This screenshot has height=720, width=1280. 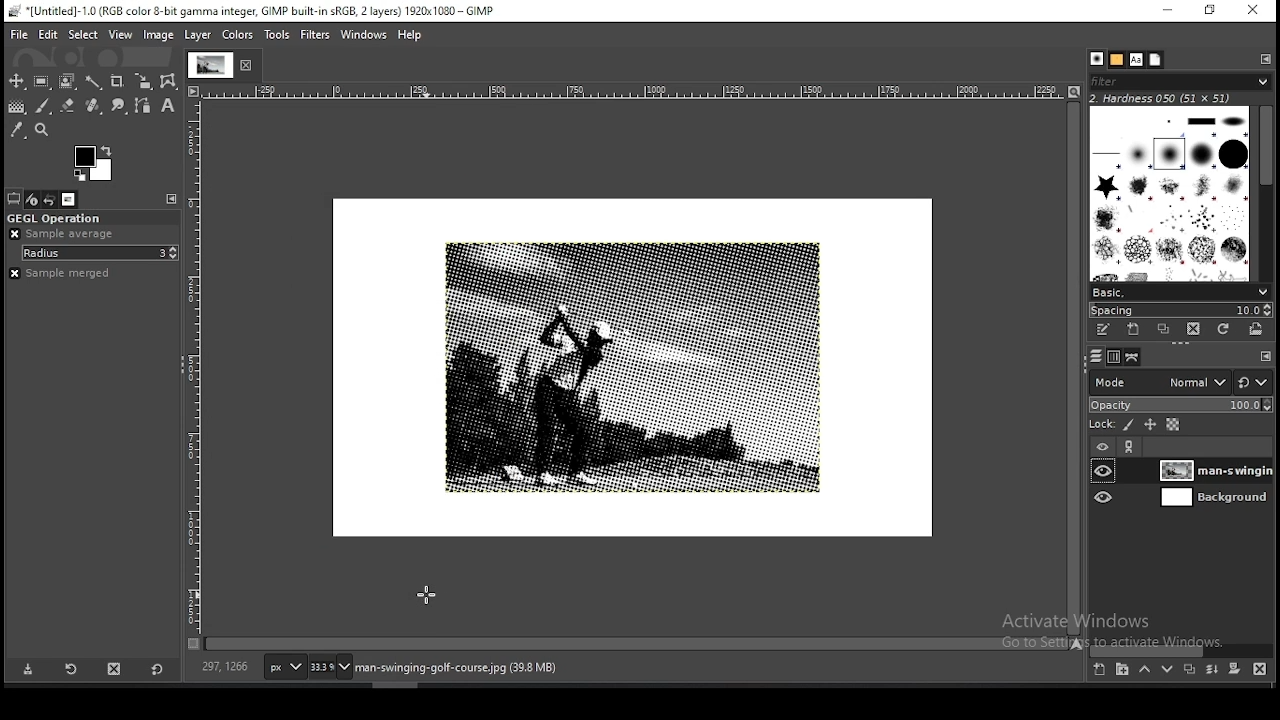 What do you see at coordinates (275, 35) in the screenshot?
I see `tools` at bounding box center [275, 35].